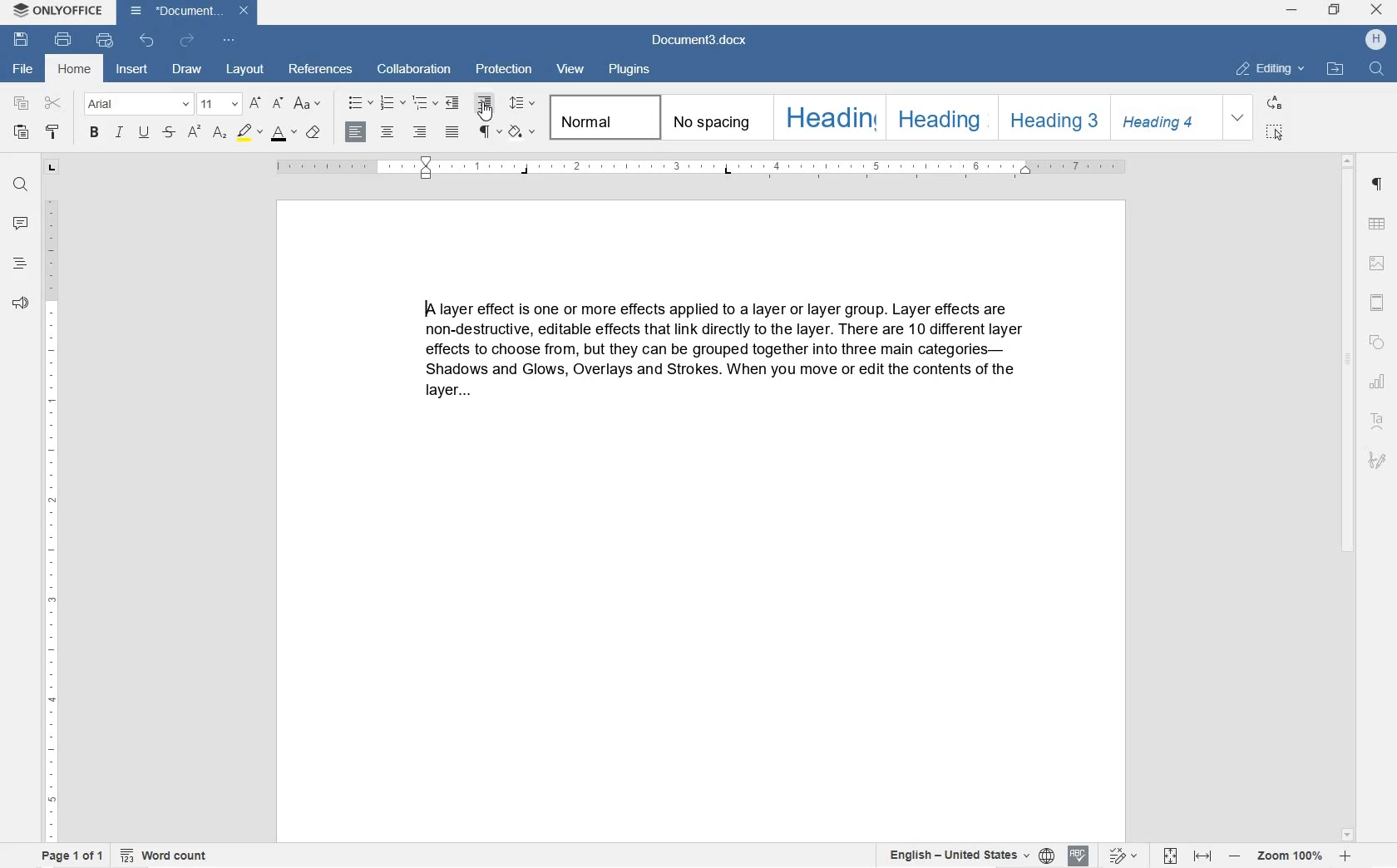  Describe the element at coordinates (1272, 101) in the screenshot. I see `REPLACE` at that location.